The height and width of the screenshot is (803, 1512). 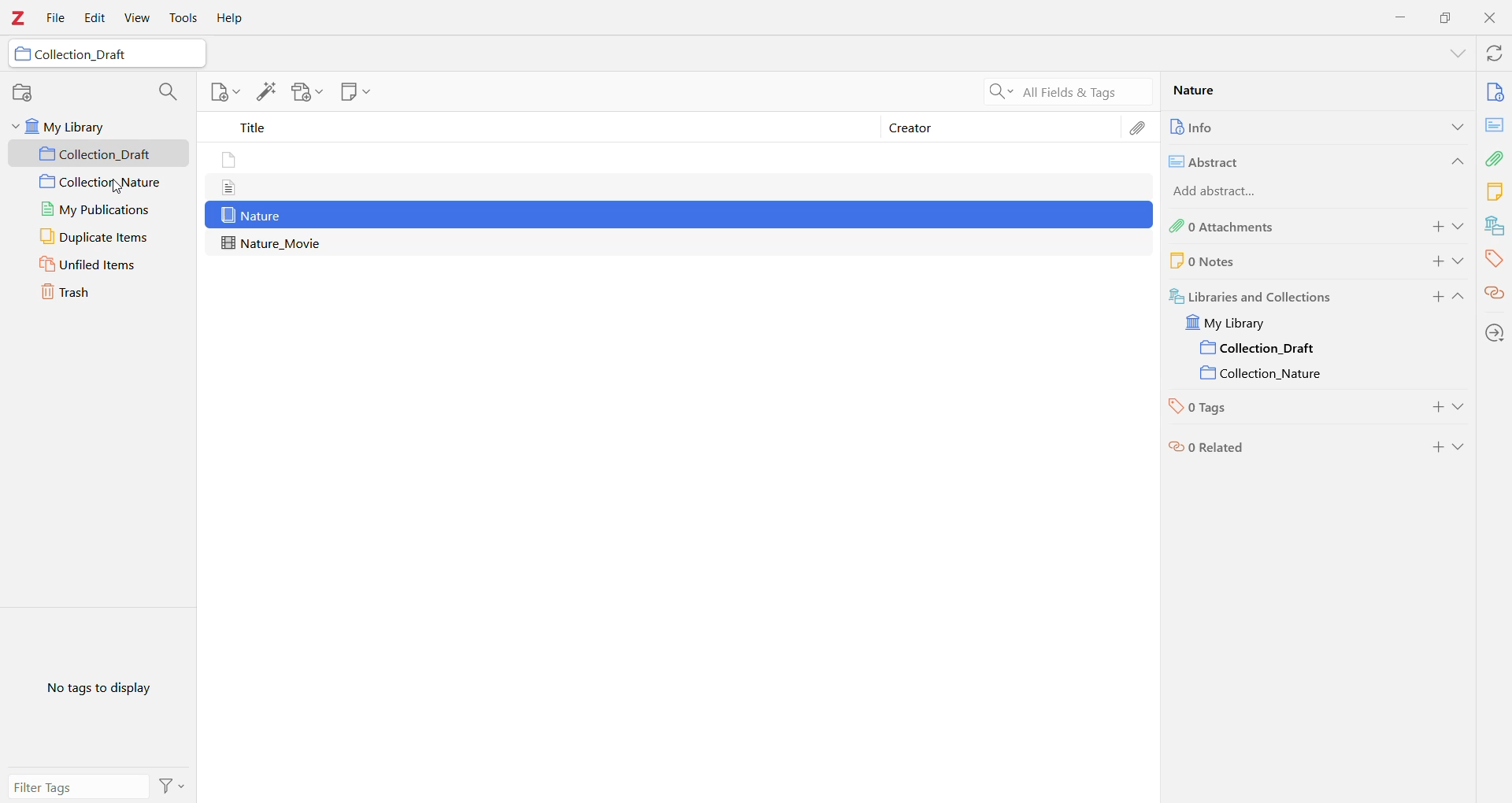 What do you see at coordinates (1290, 160) in the screenshot?
I see `Abstract` at bounding box center [1290, 160].